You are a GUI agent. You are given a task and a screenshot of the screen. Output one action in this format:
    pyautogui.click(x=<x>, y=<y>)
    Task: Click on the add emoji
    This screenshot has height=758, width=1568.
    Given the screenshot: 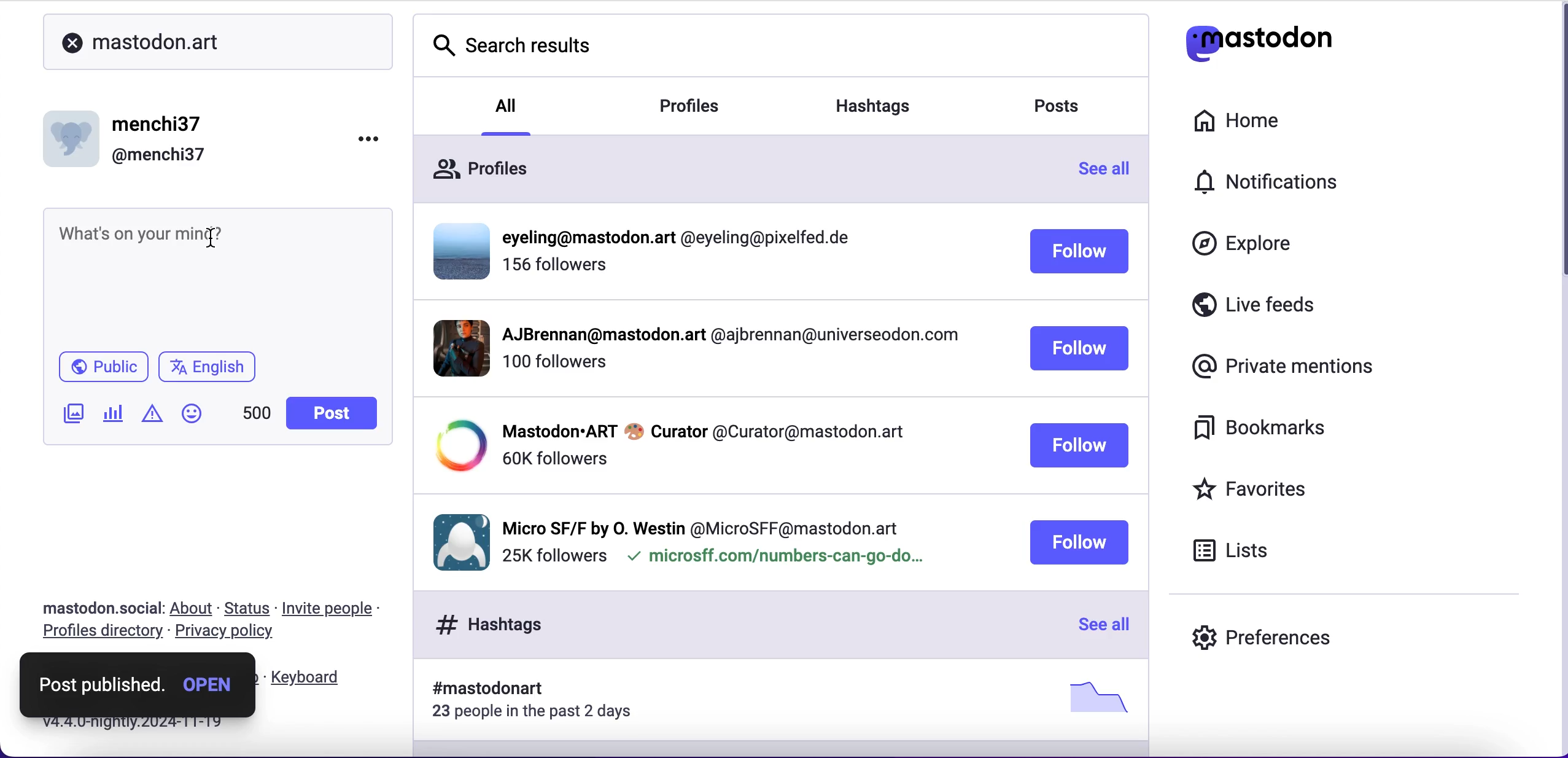 What is the action you would take?
    pyautogui.click(x=192, y=419)
    